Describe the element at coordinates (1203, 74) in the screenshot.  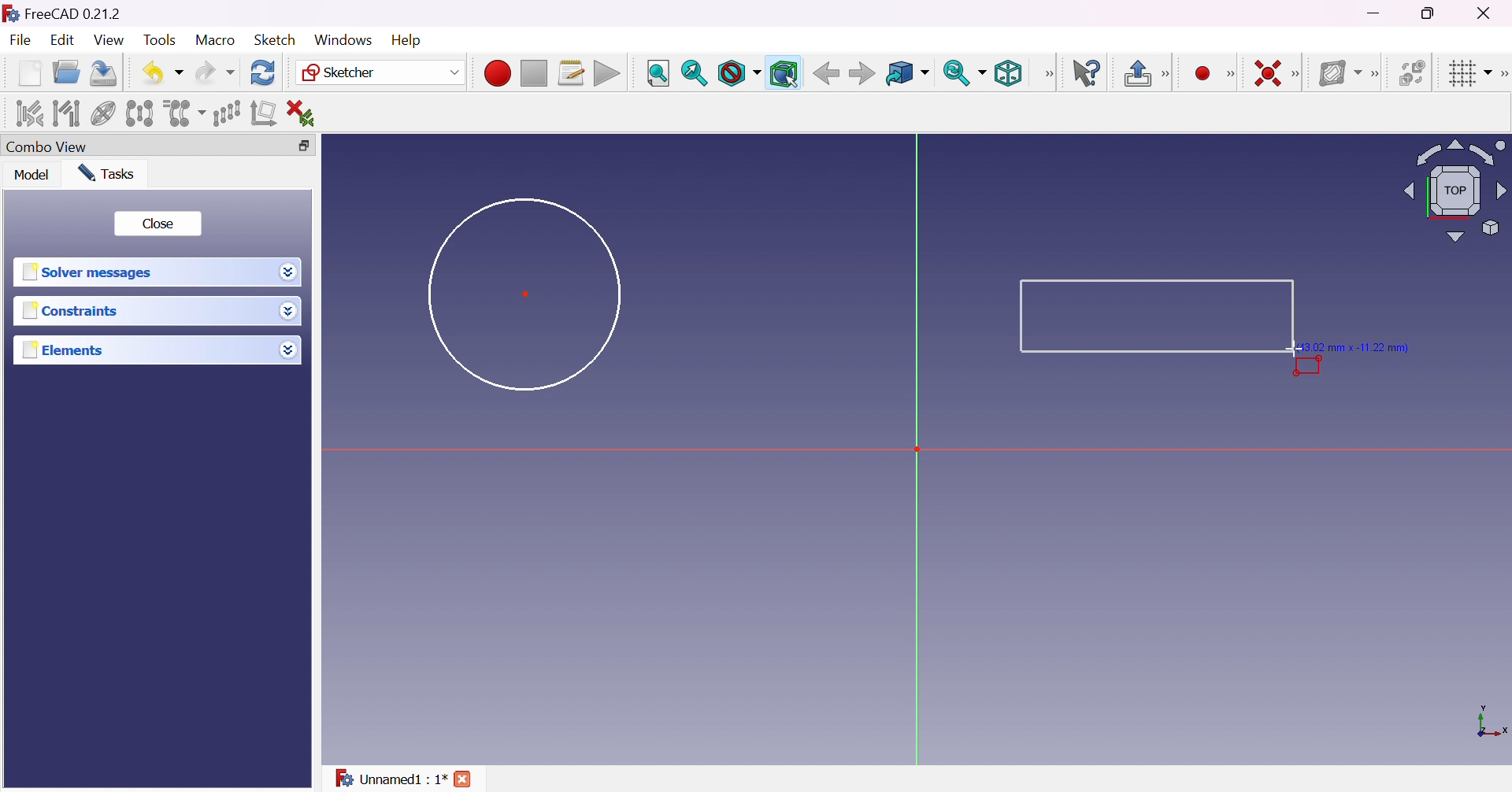
I see `Create point` at that location.